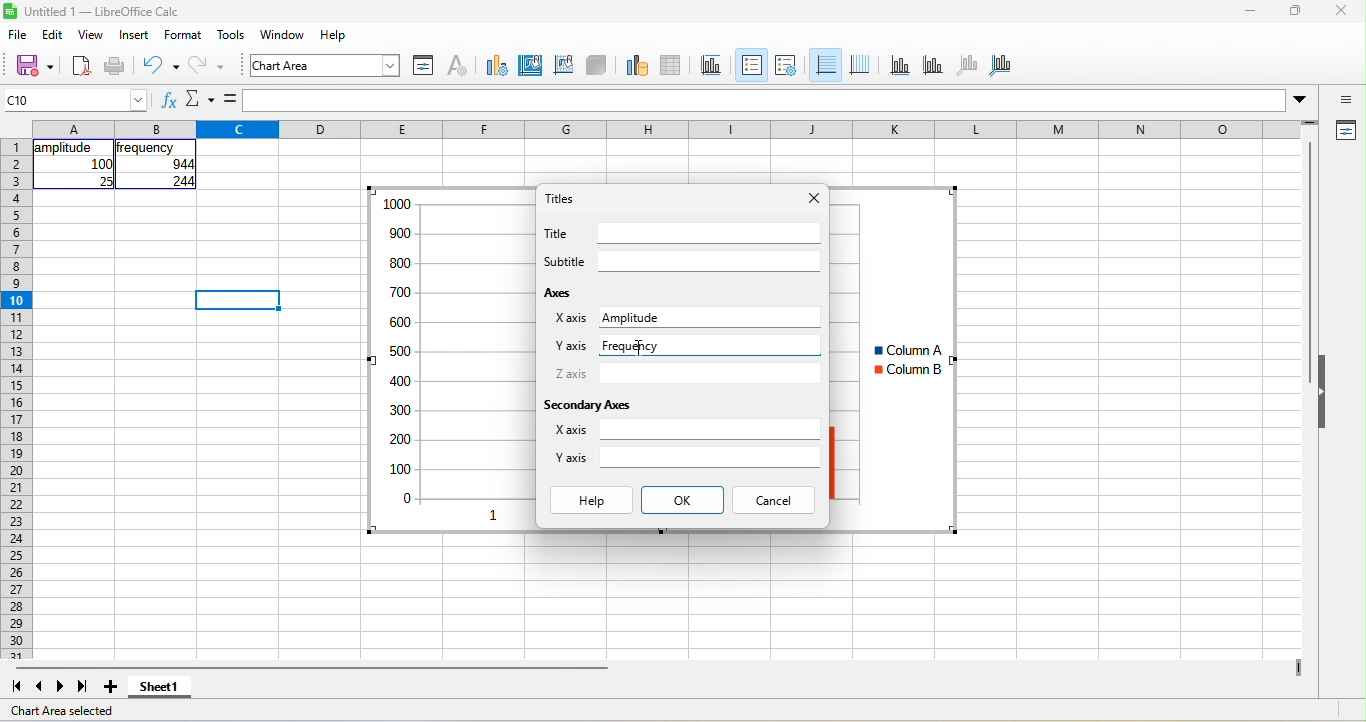 This screenshot has width=1366, height=722. What do you see at coordinates (752, 65) in the screenshot?
I see `legend on\off` at bounding box center [752, 65].